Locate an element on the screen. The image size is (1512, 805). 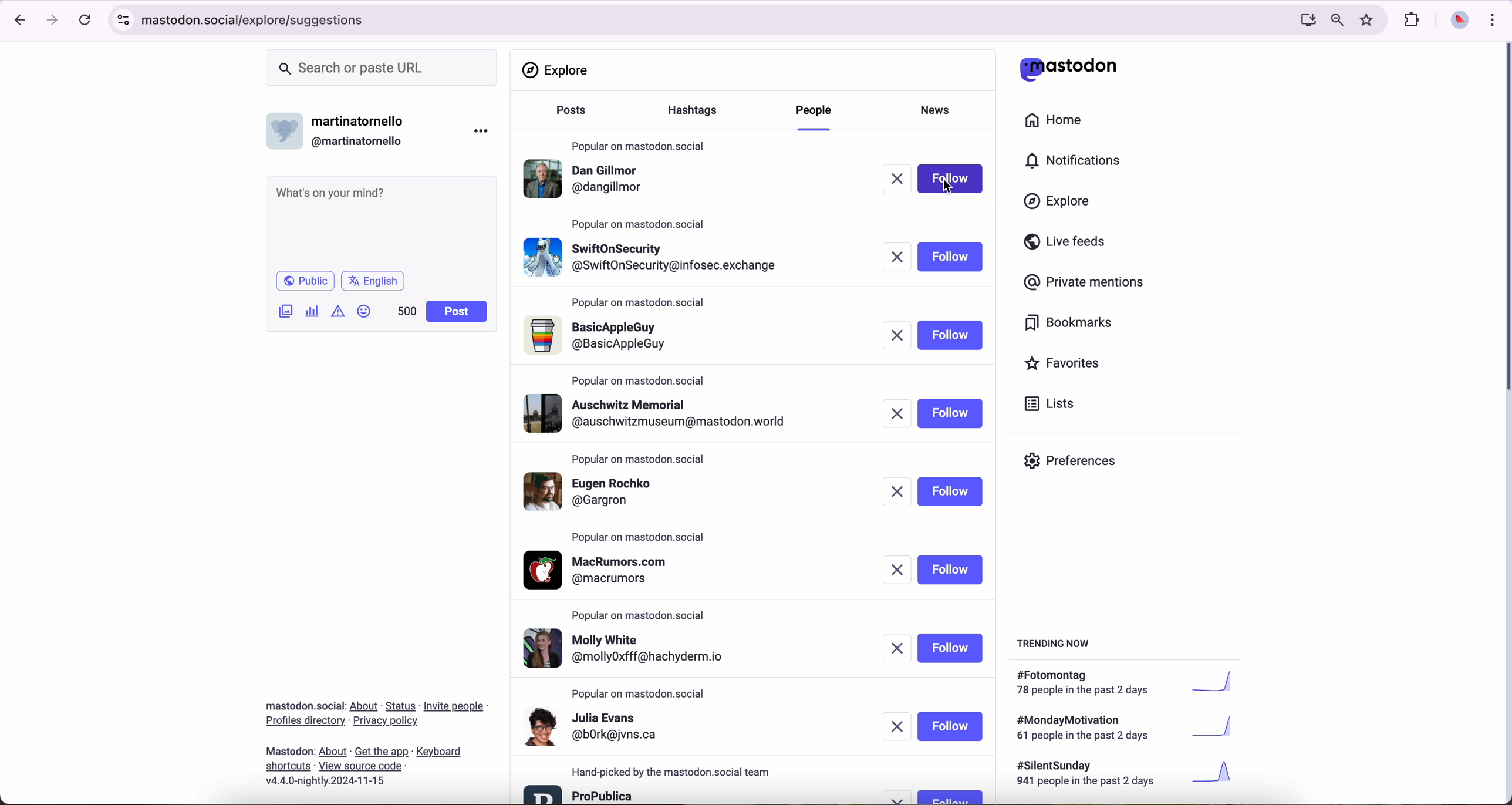
live feeds is located at coordinates (1069, 244).